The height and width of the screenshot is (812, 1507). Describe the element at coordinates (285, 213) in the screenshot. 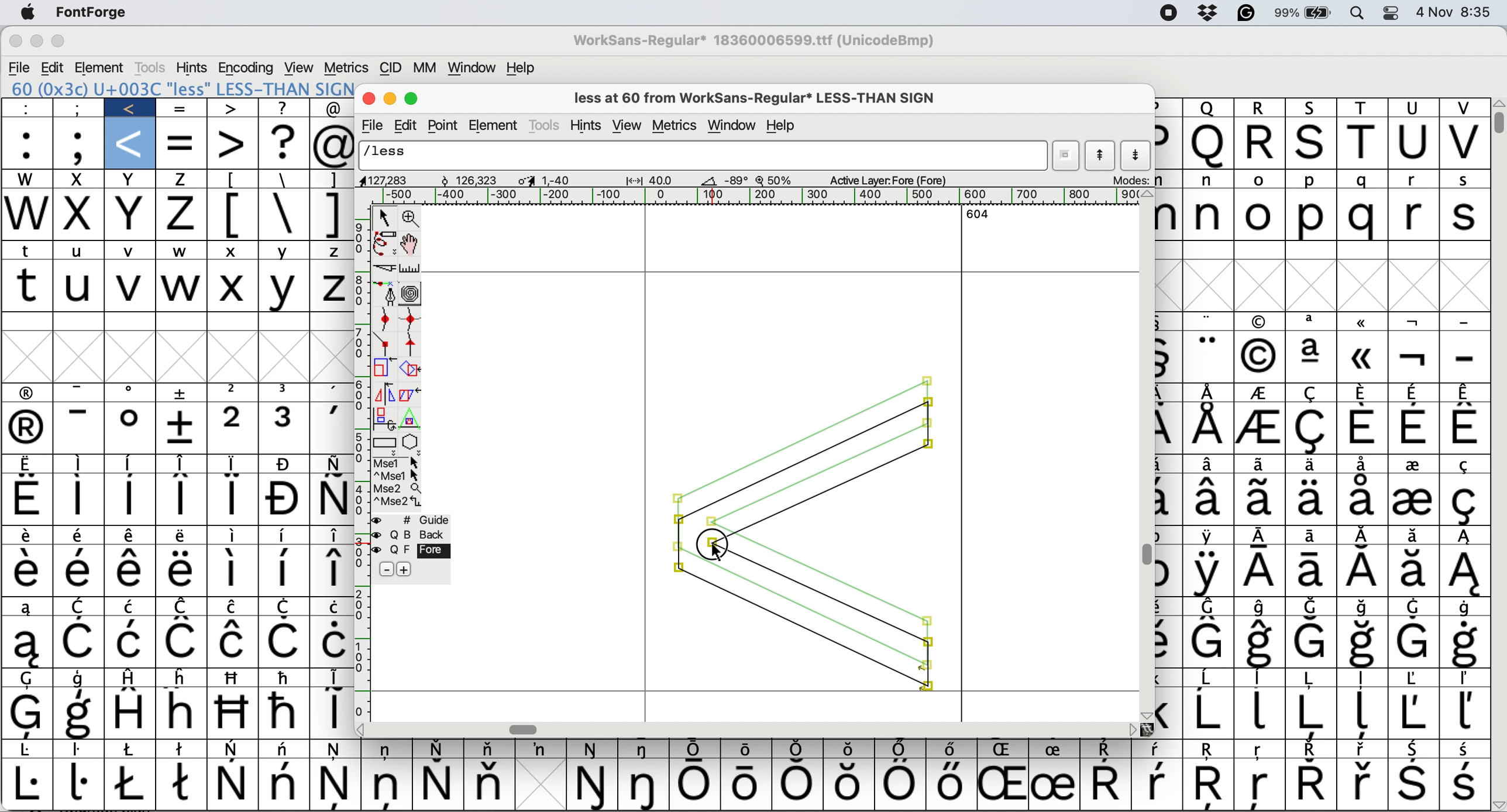

I see `\` at that location.